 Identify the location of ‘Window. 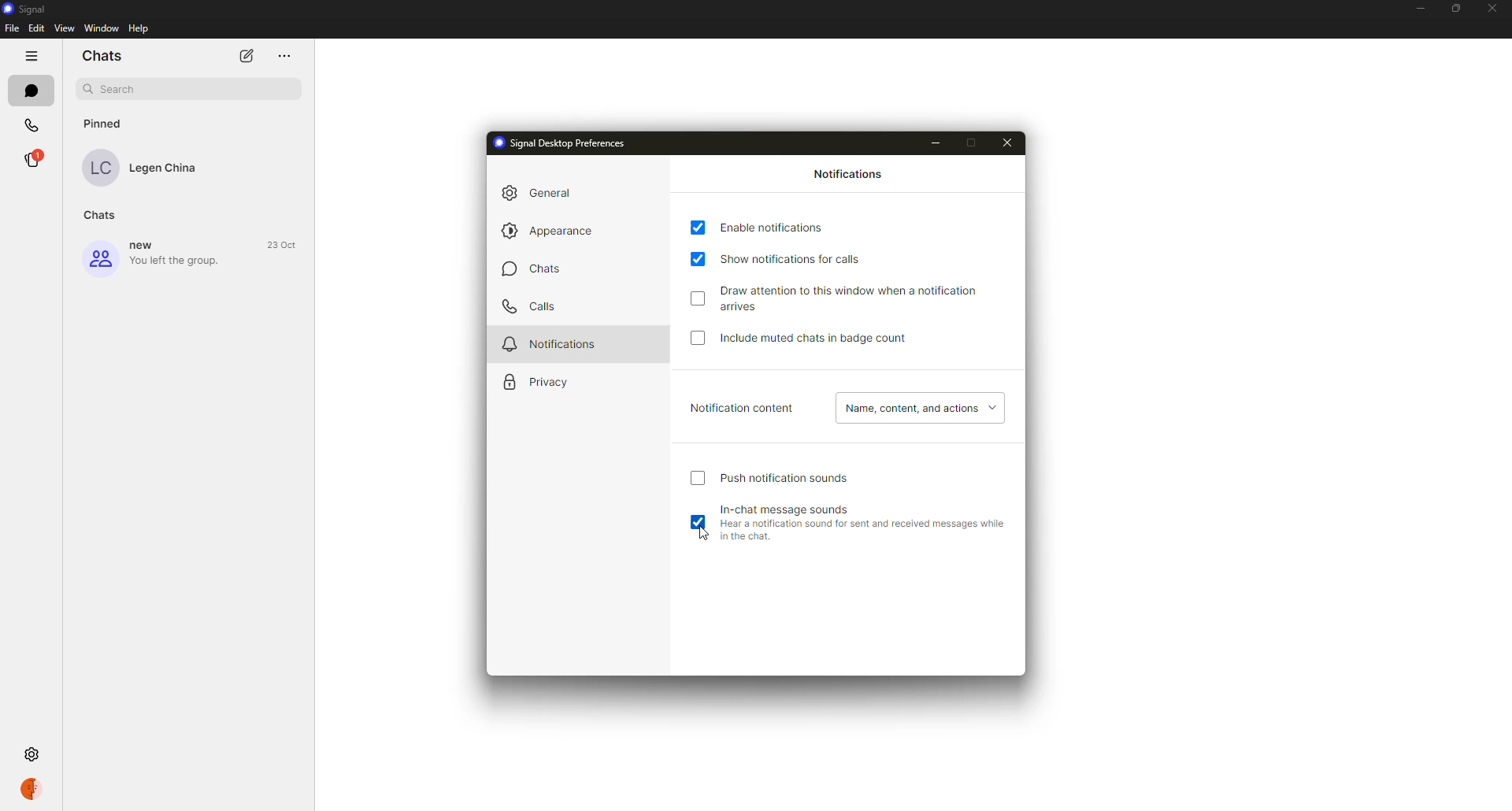
(101, 28).